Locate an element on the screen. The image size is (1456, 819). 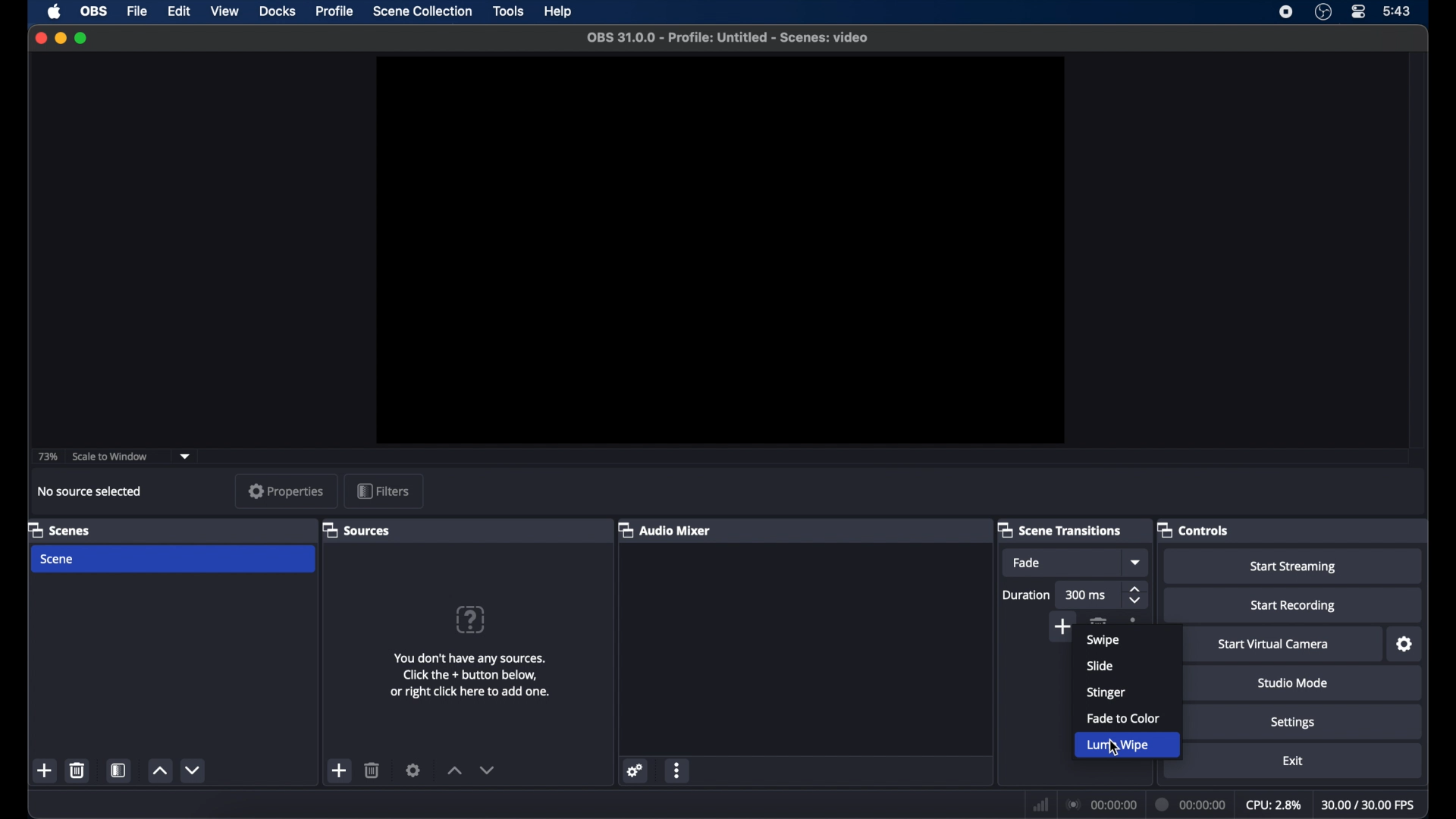
studio mode is located at coordinates (1293, 683).